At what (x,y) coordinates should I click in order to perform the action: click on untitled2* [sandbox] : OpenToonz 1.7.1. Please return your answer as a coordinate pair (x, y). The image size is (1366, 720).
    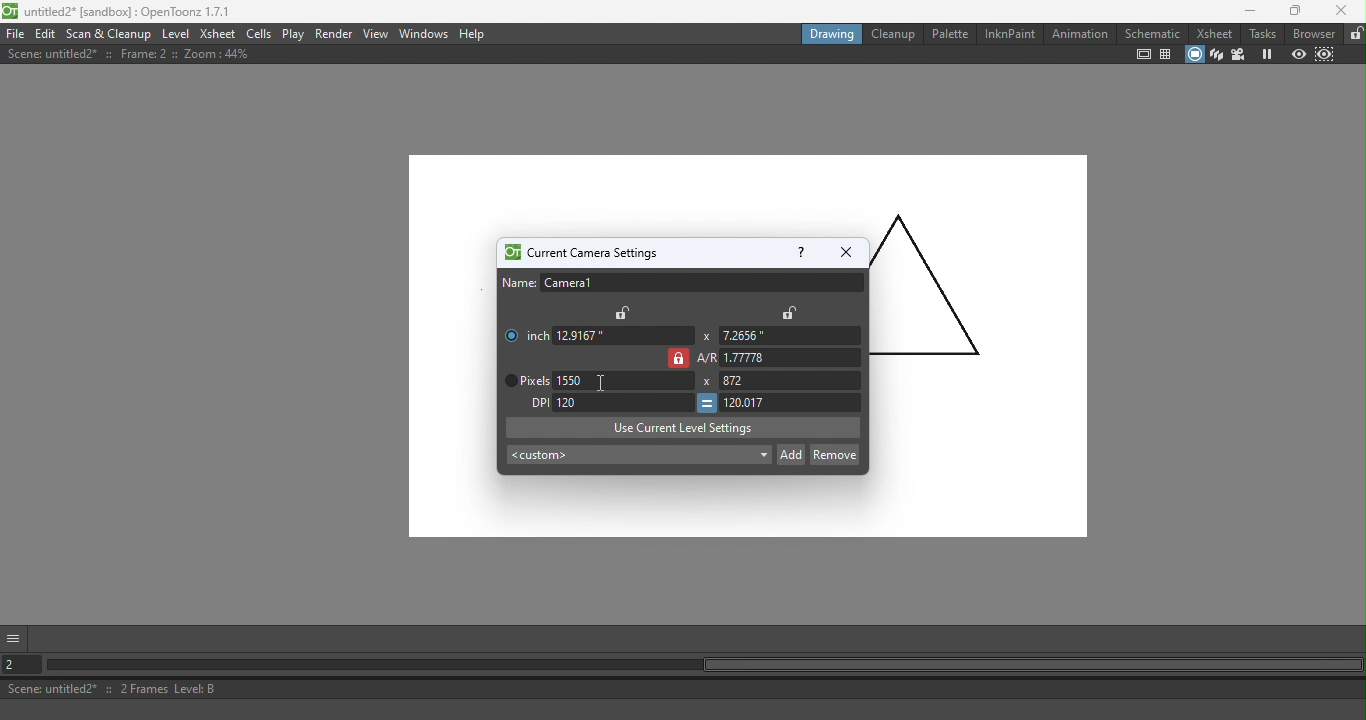
    Looking at the image, I should click on (120, 11).